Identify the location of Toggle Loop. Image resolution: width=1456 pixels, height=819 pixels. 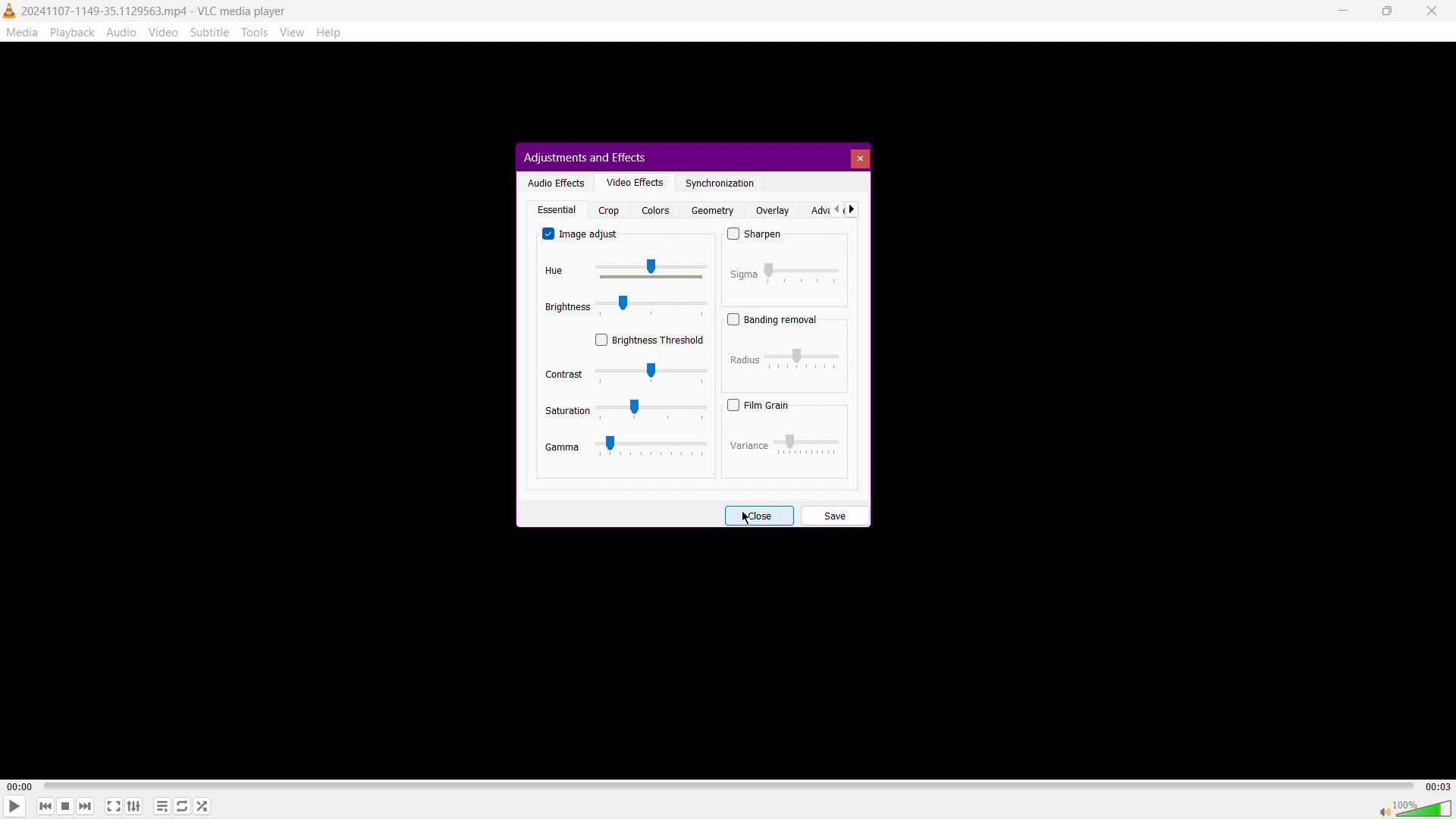
(182, 807).